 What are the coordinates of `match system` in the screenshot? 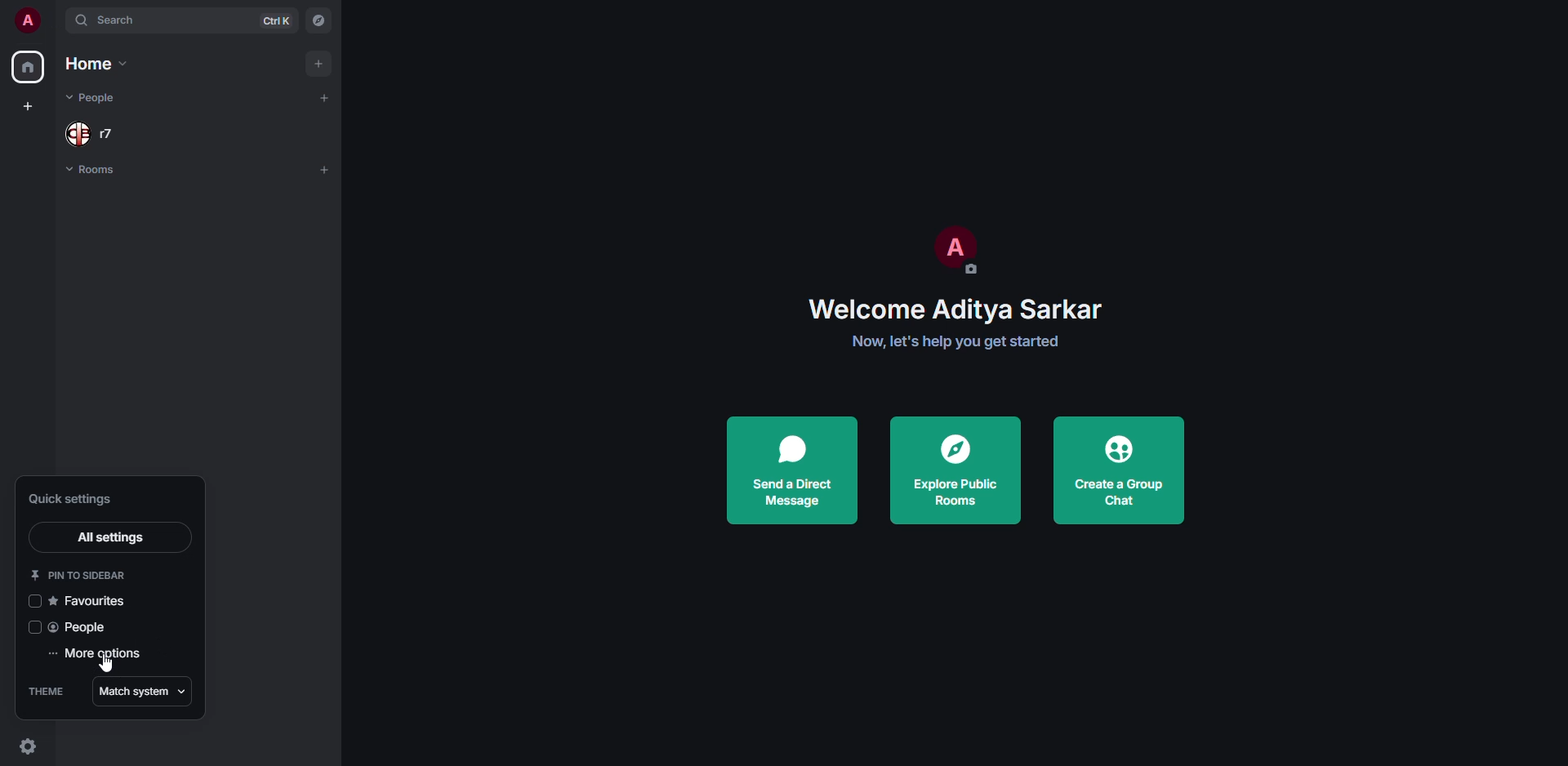 It's located at (143, 693).